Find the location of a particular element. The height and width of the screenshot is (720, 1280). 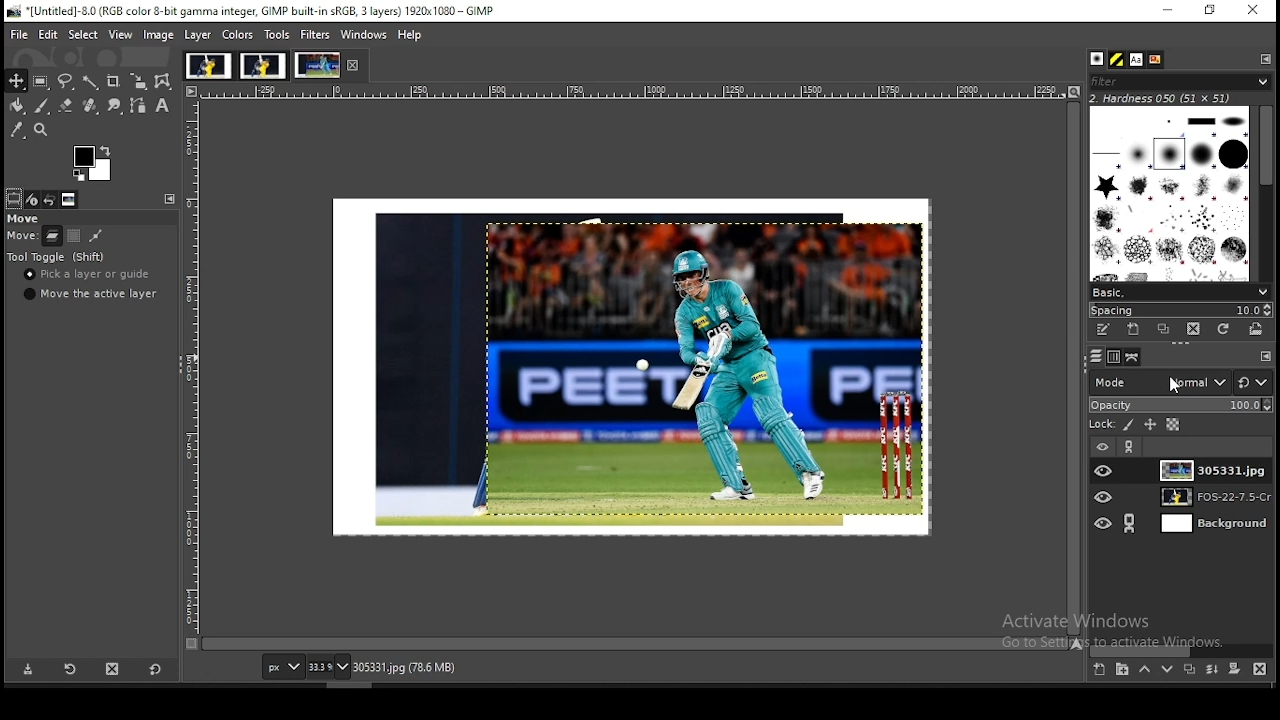

link is located at coordinates (1130, 523).